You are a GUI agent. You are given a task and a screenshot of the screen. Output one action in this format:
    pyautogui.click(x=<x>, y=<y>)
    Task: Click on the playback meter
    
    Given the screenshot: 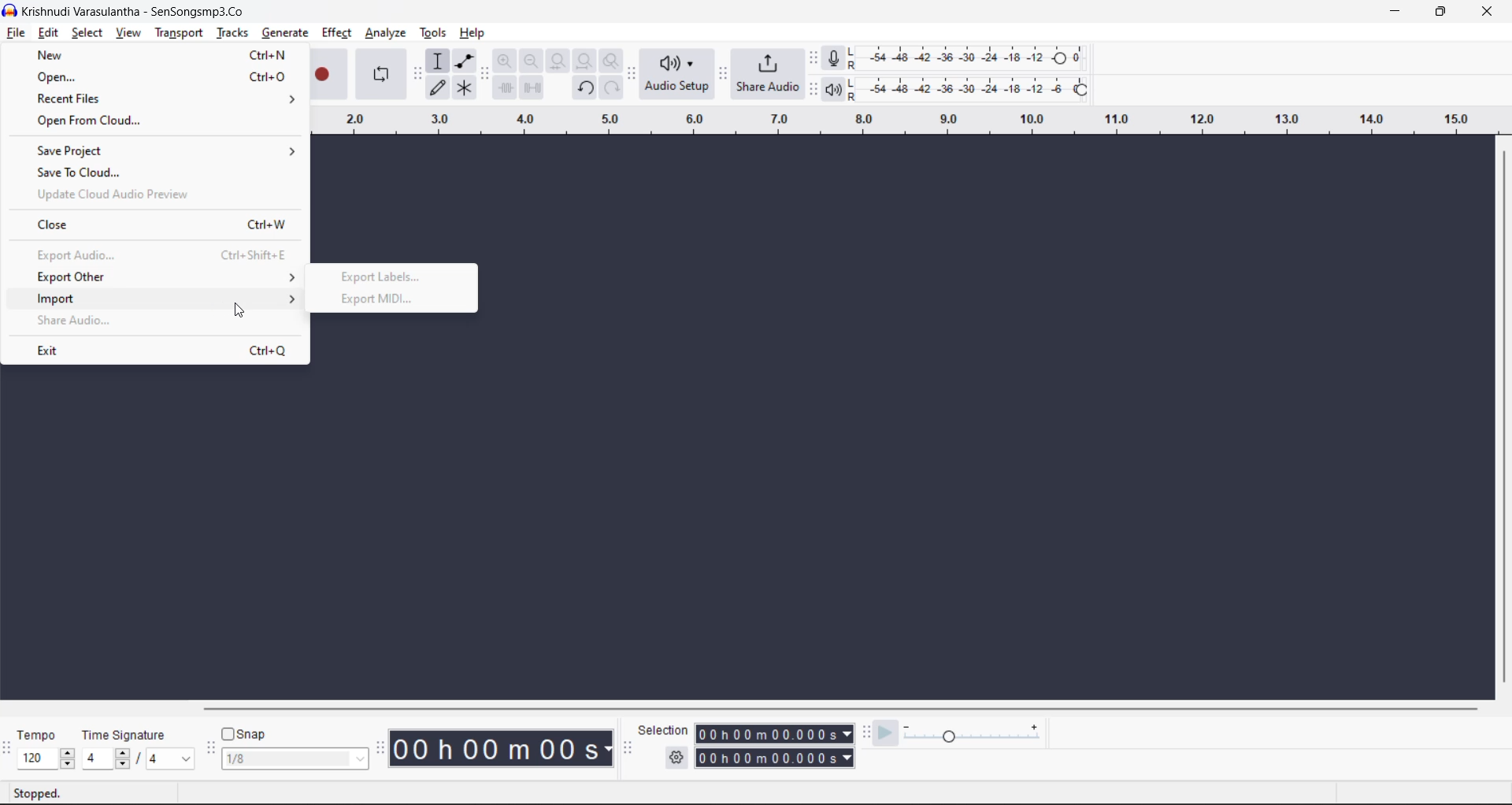 What is the action you would take?
    pyautogui.click(x=841, y=89)
    